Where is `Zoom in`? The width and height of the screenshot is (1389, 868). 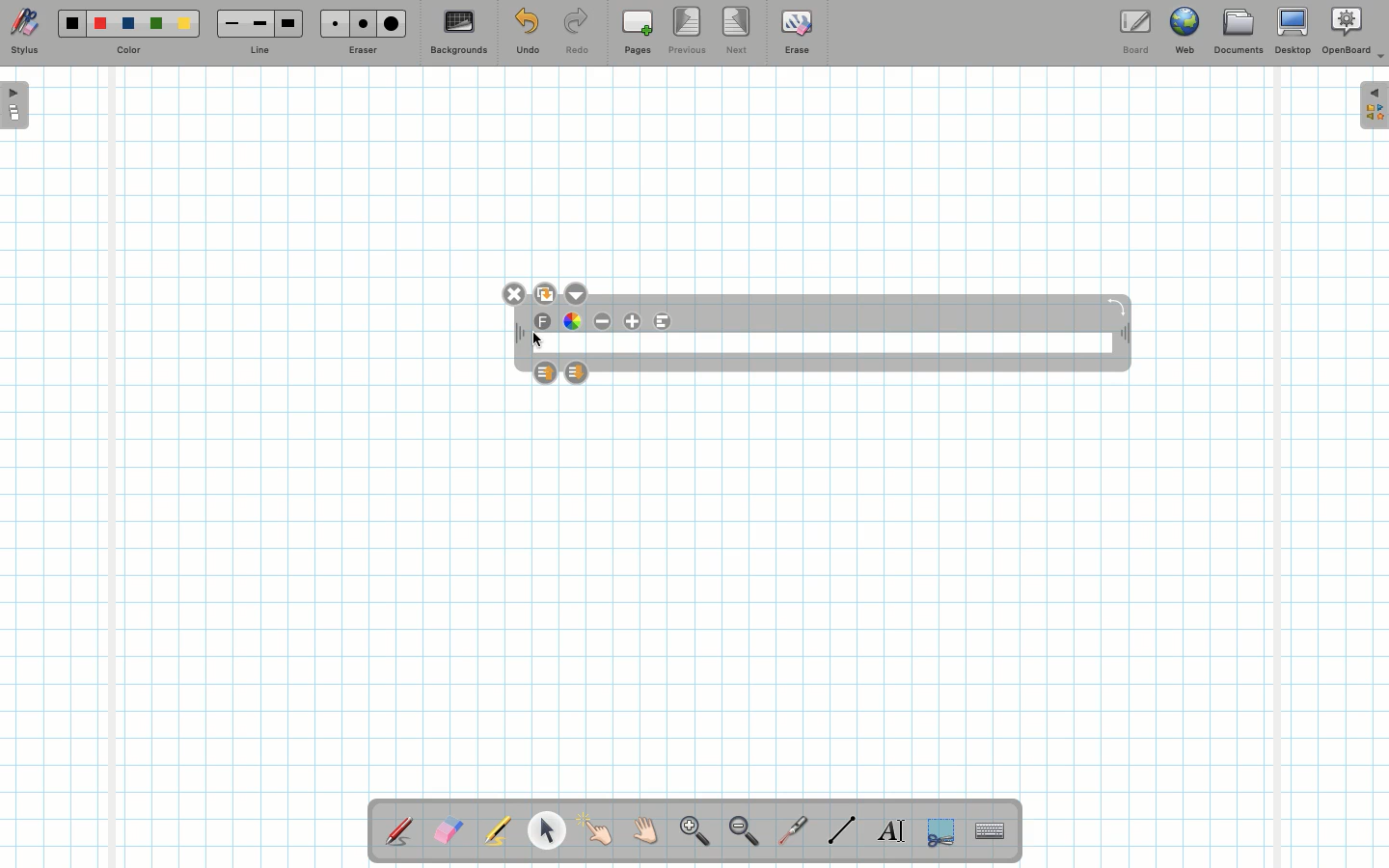 Zoom in is located at coordinates (690, 833).